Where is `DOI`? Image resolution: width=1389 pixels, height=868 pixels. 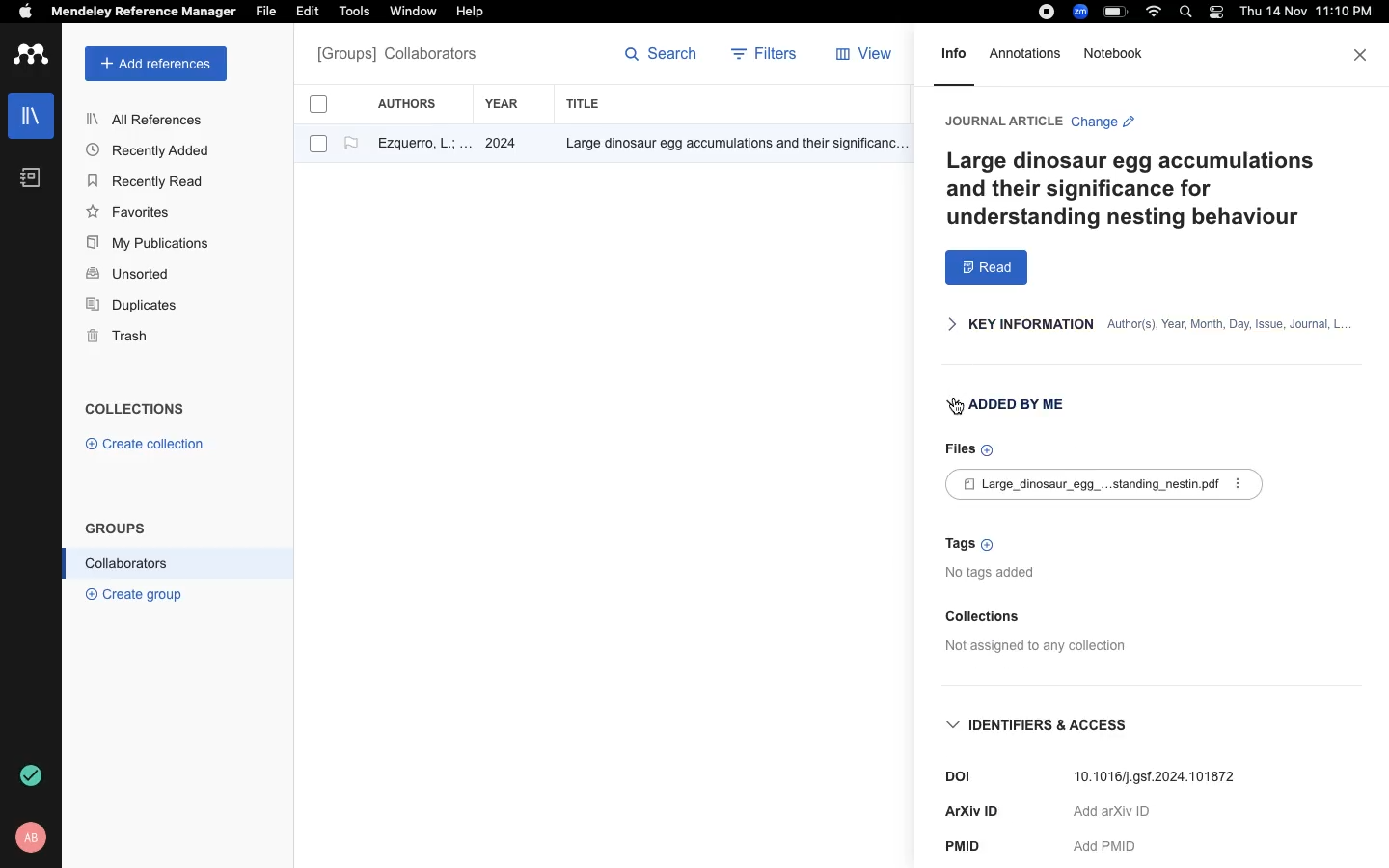 DOI is located at coordinates (964, 777).